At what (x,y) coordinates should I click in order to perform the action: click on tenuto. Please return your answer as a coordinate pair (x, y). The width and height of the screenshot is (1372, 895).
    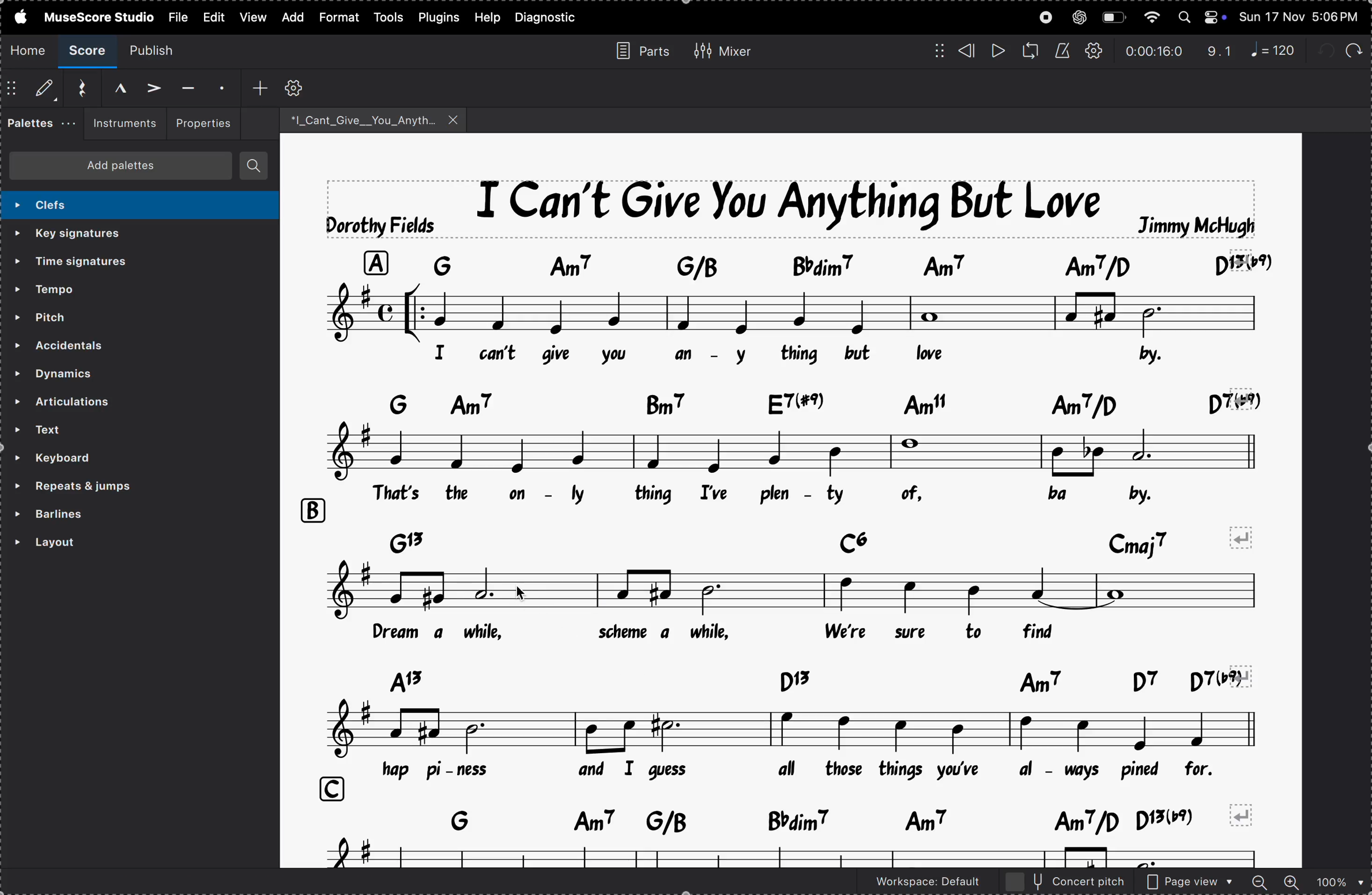
    Looking at the image, I should click on (186, 88).